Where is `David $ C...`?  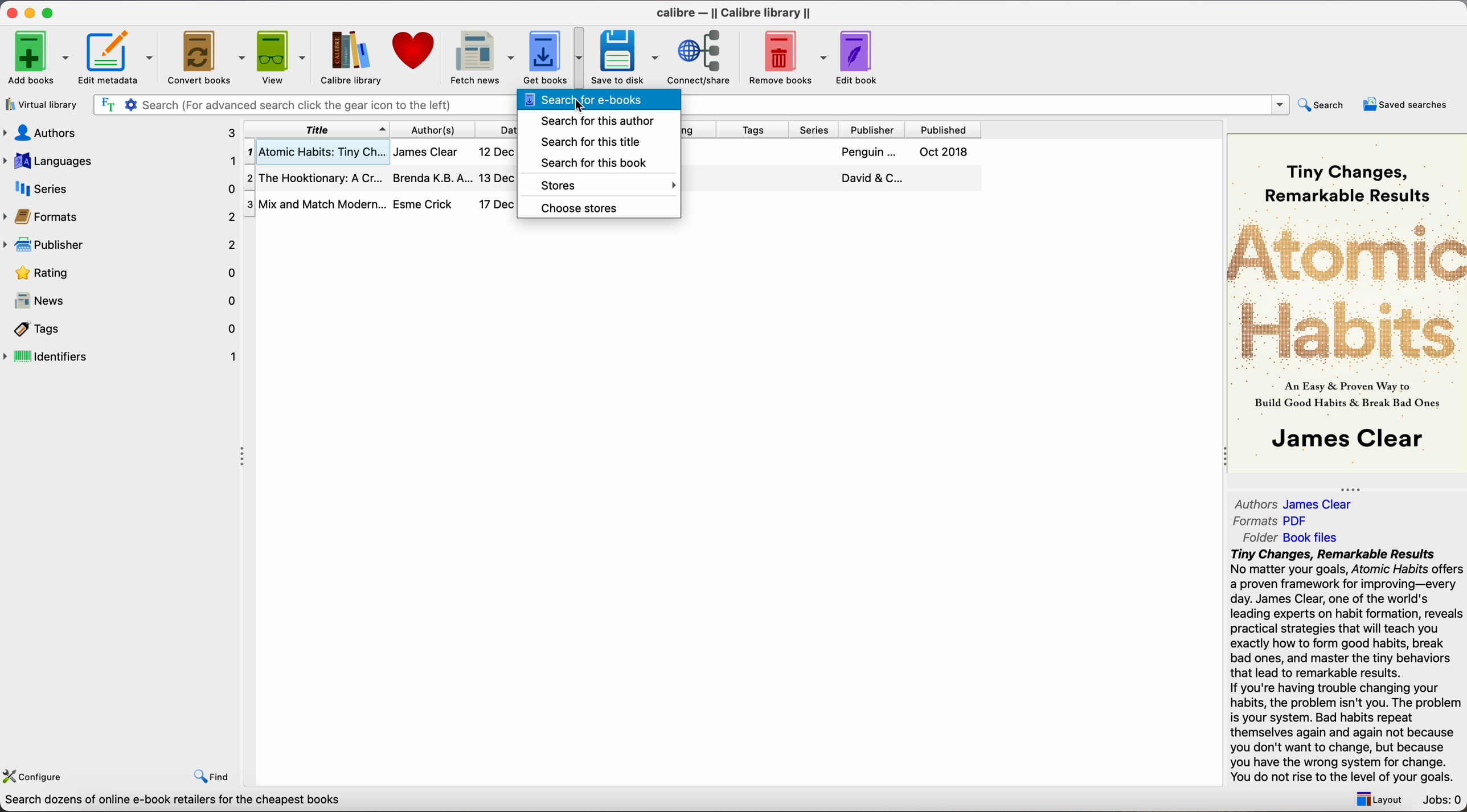
David $ C... is located at coordinates (872, 178).